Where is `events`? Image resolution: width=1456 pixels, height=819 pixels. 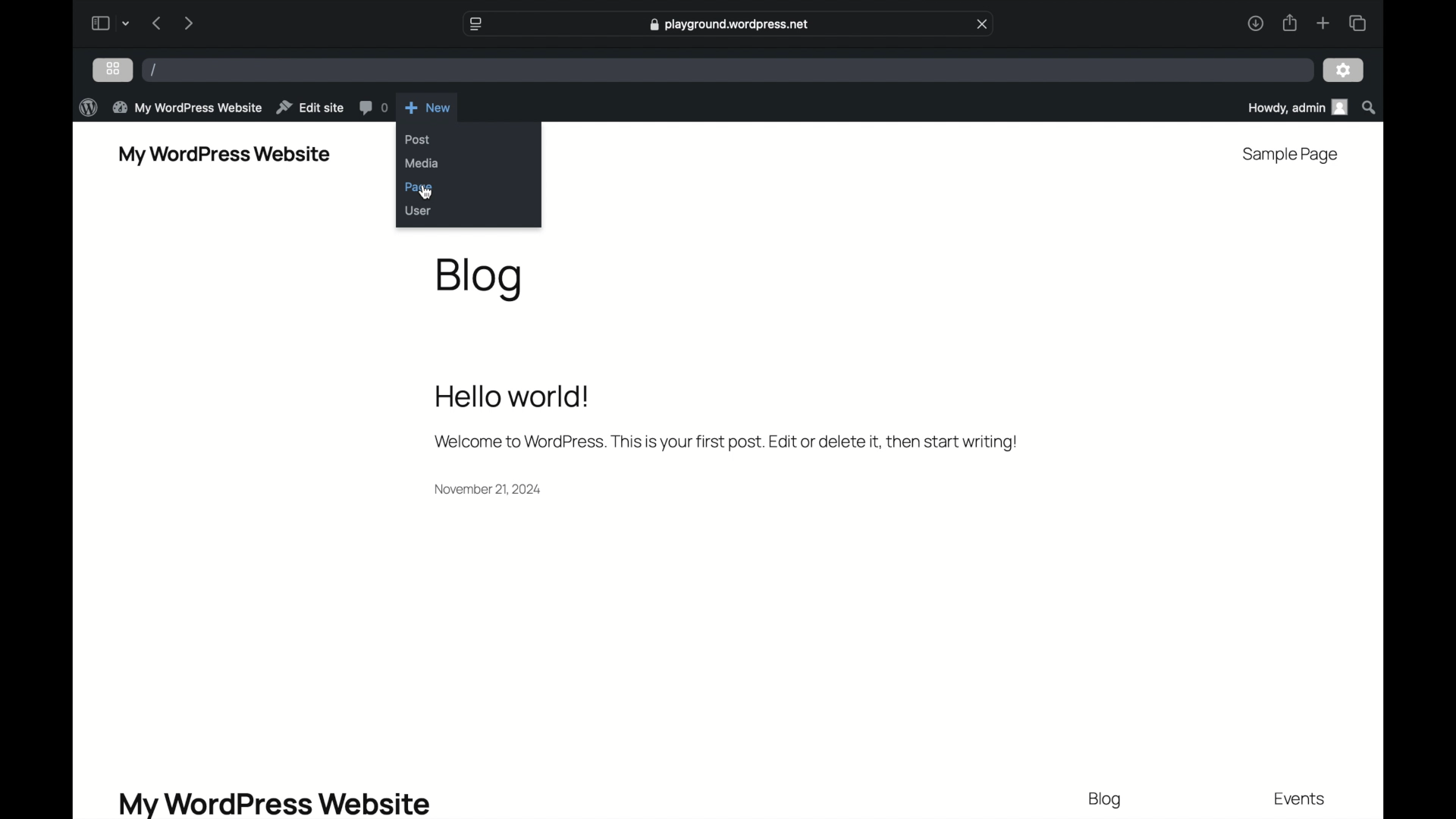 events is located at coordinates (1300, 800).